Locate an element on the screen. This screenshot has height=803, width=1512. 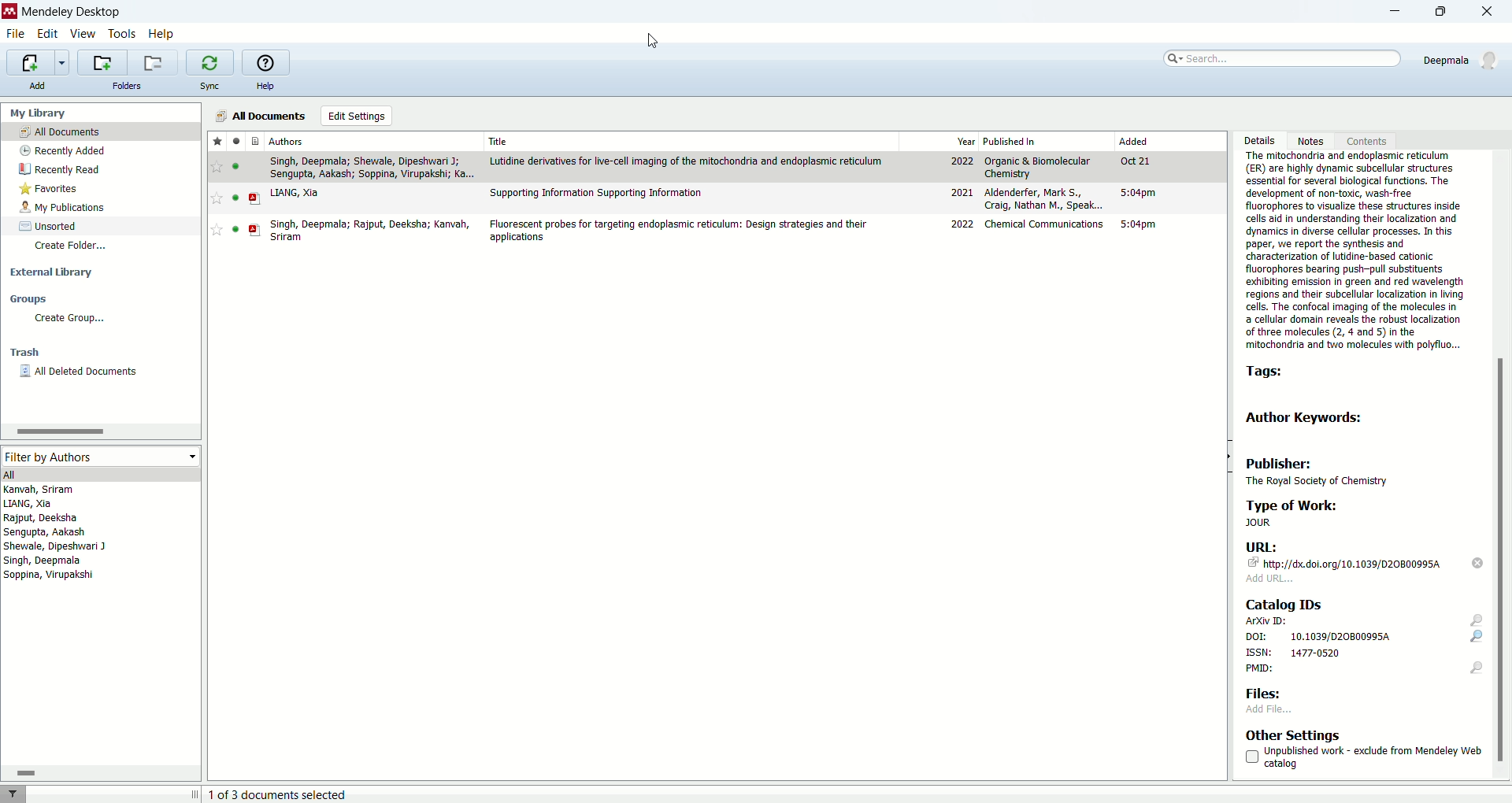
recently added is located at coordinates (61, 150).